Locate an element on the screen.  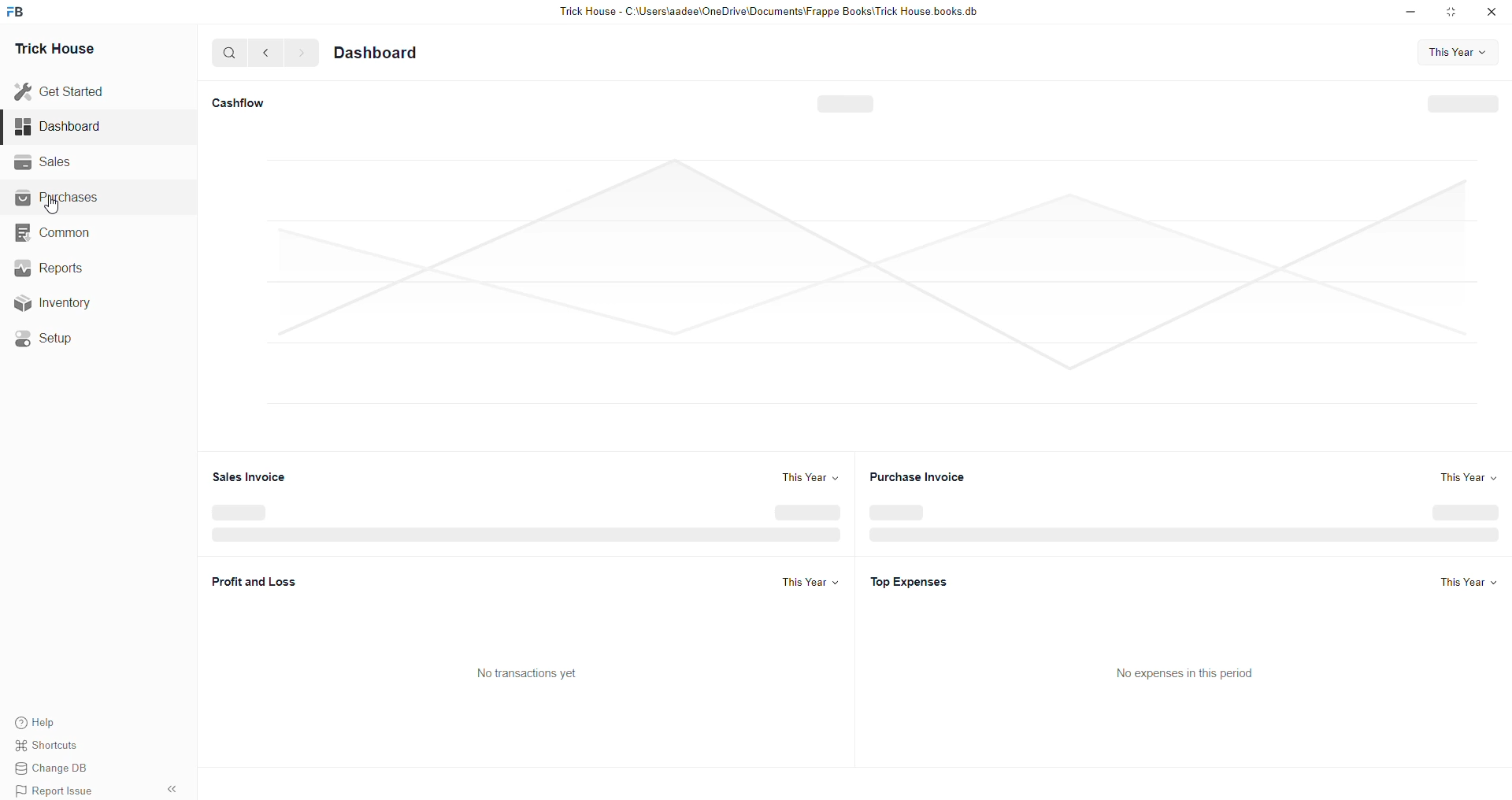
Shortcuts is located at coordinates (56, 747).